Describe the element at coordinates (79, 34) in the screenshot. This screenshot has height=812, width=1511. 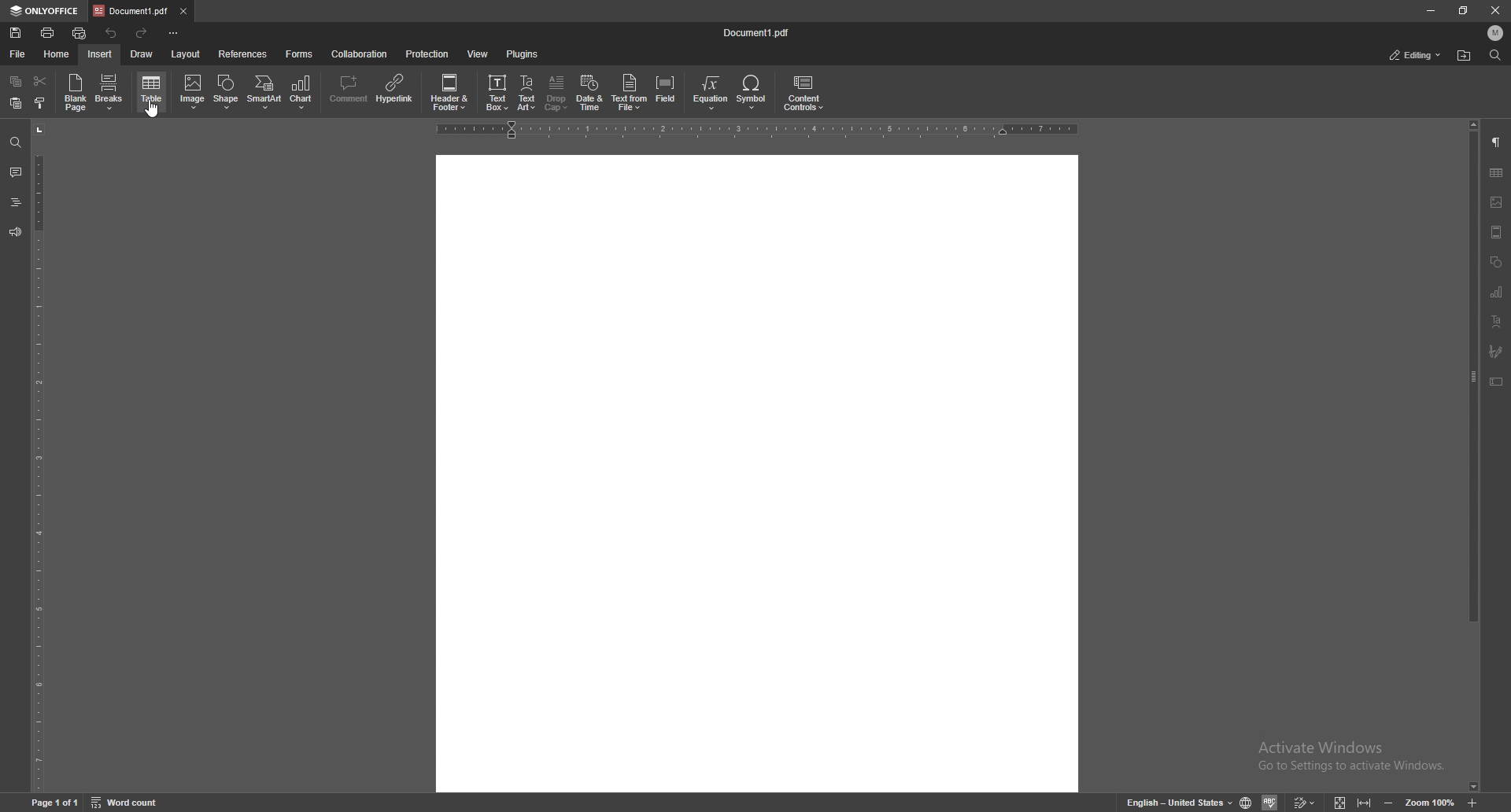
I see `quick print` at that location.